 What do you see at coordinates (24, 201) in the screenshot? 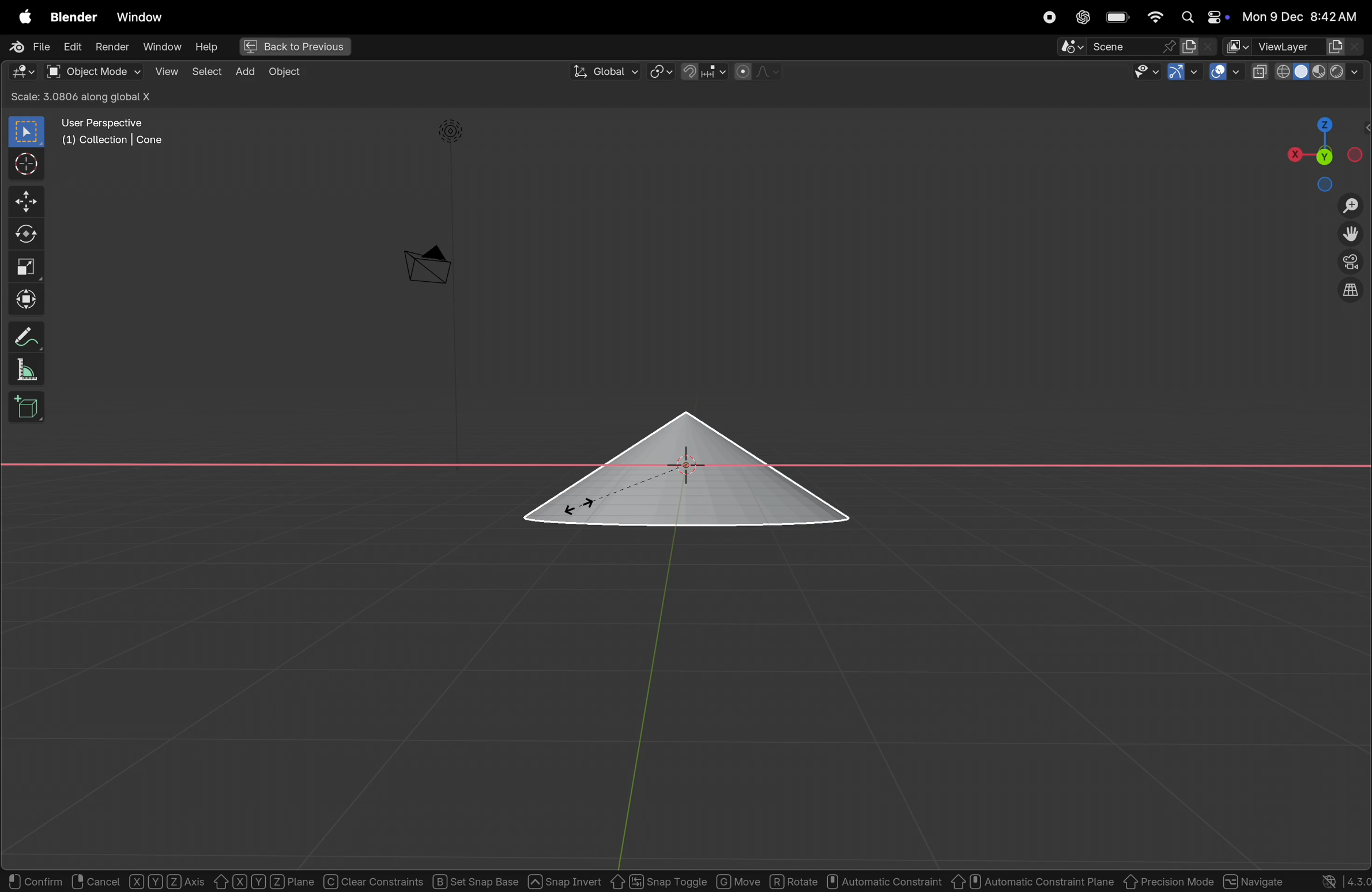
I see `move` at bounding box center [24, 201].